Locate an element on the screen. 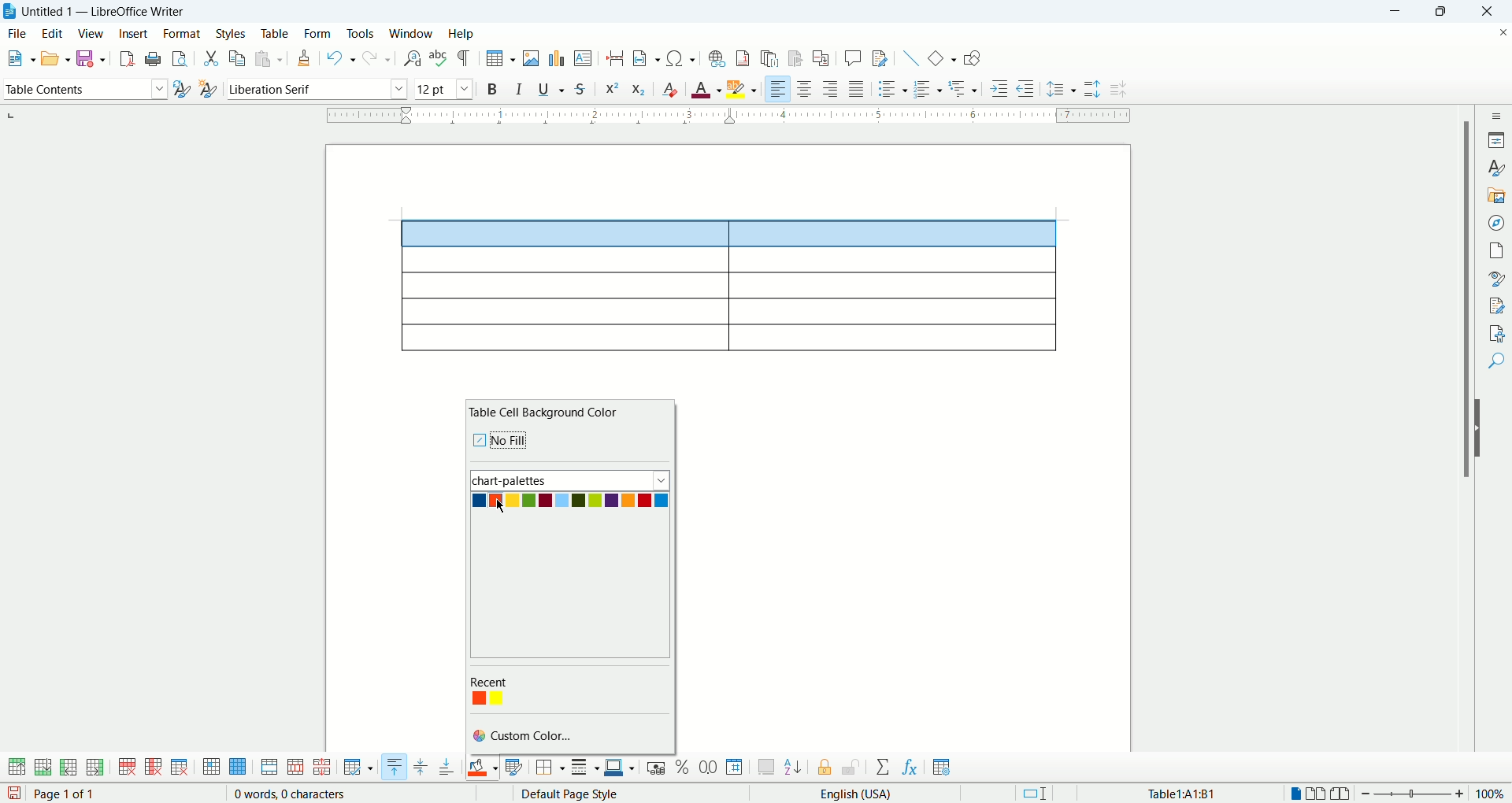 This screenshot has width=1512, height=803. word count is located at coordinates (292, 794).